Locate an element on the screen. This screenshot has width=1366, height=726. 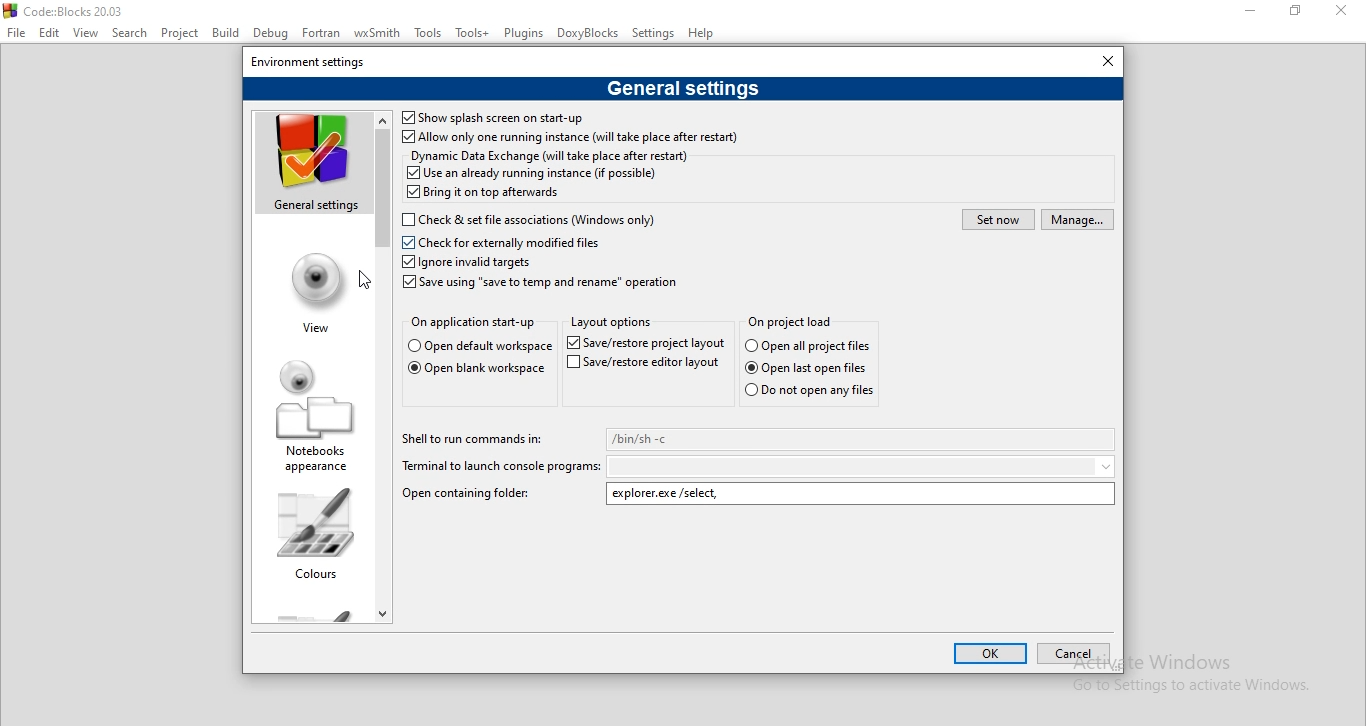
environment settings is located at coordinates (309, 60).